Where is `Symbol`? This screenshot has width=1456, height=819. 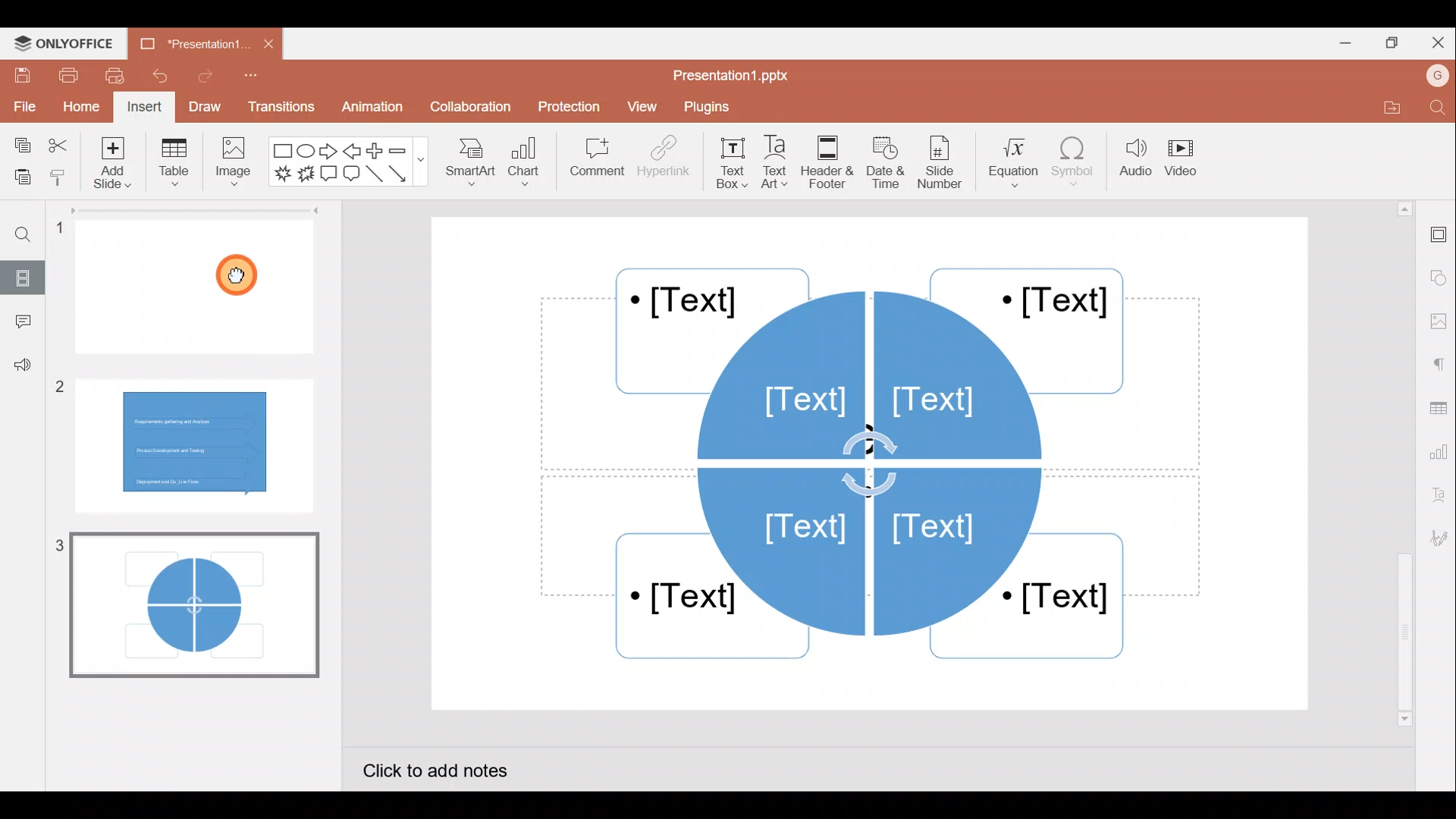 Symbol is located at coordinates (1074, 165).